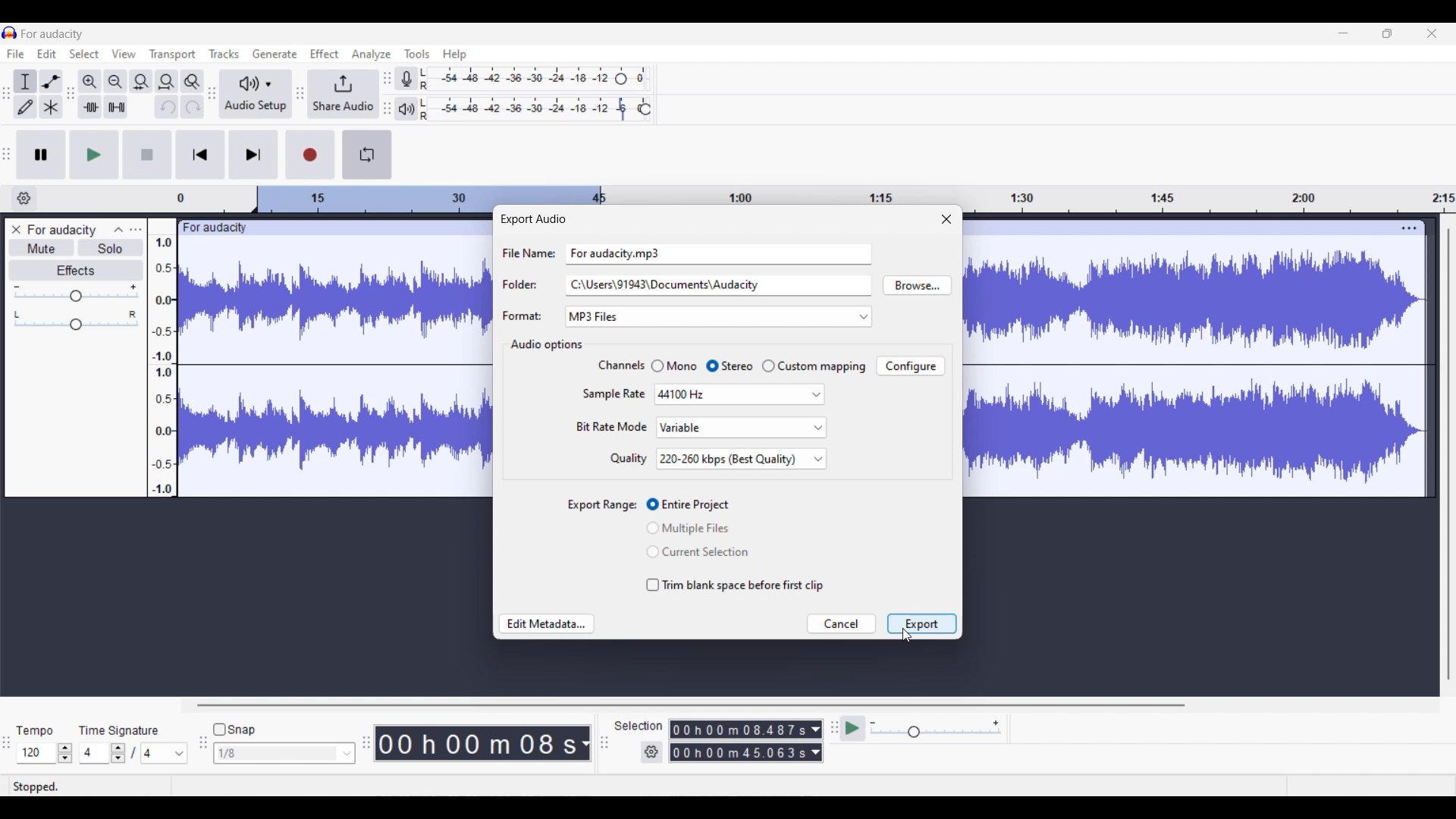 This screenshot has width=1456, height=819. What do you see at coordinates (854, 728) in the screenshot?
I see `Play at speed/Play at speed once` at bounding box center [854, 728].